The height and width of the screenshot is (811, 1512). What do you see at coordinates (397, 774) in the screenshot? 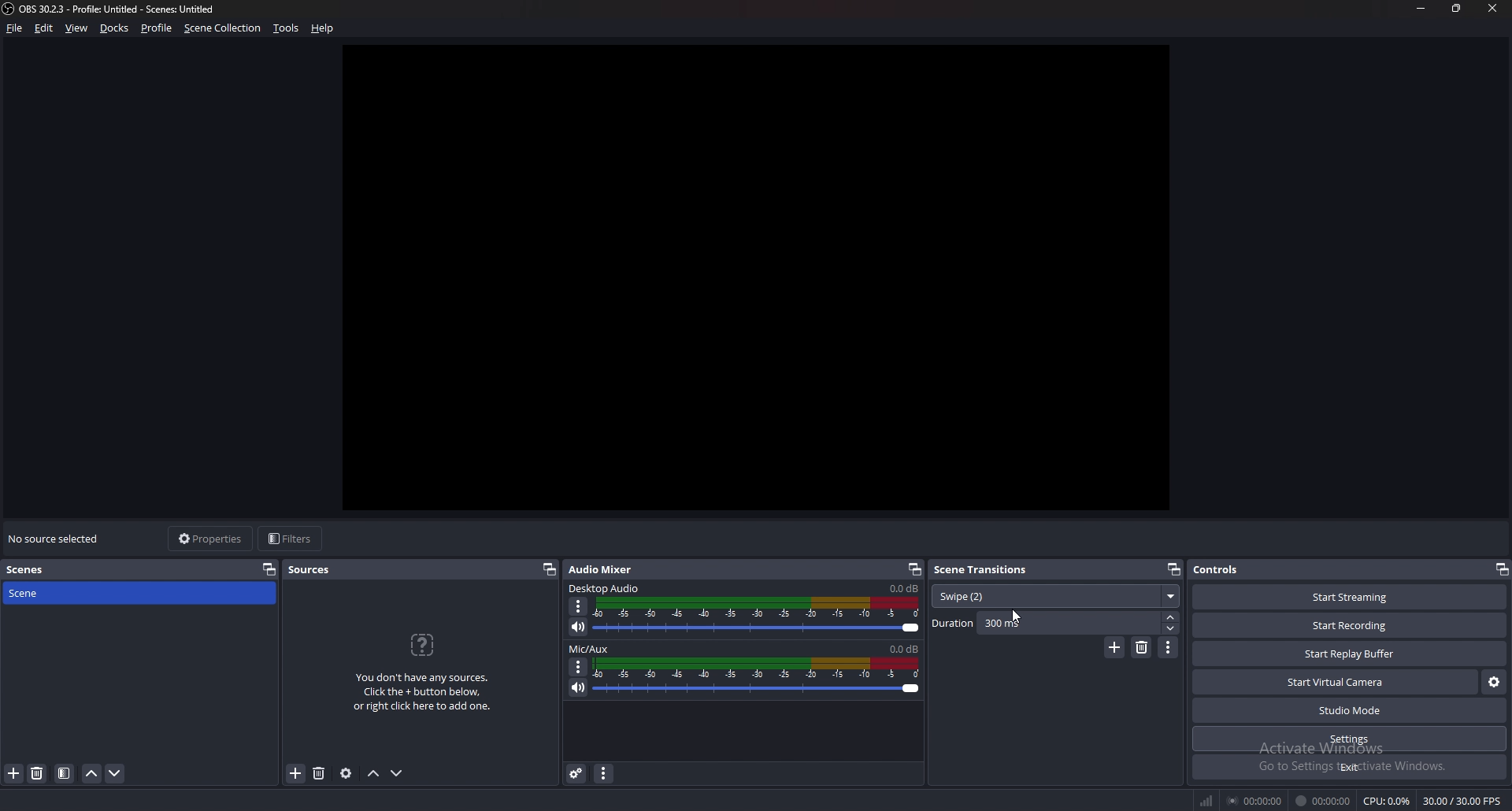
I see `move source down` at bounding box center [397, 774].